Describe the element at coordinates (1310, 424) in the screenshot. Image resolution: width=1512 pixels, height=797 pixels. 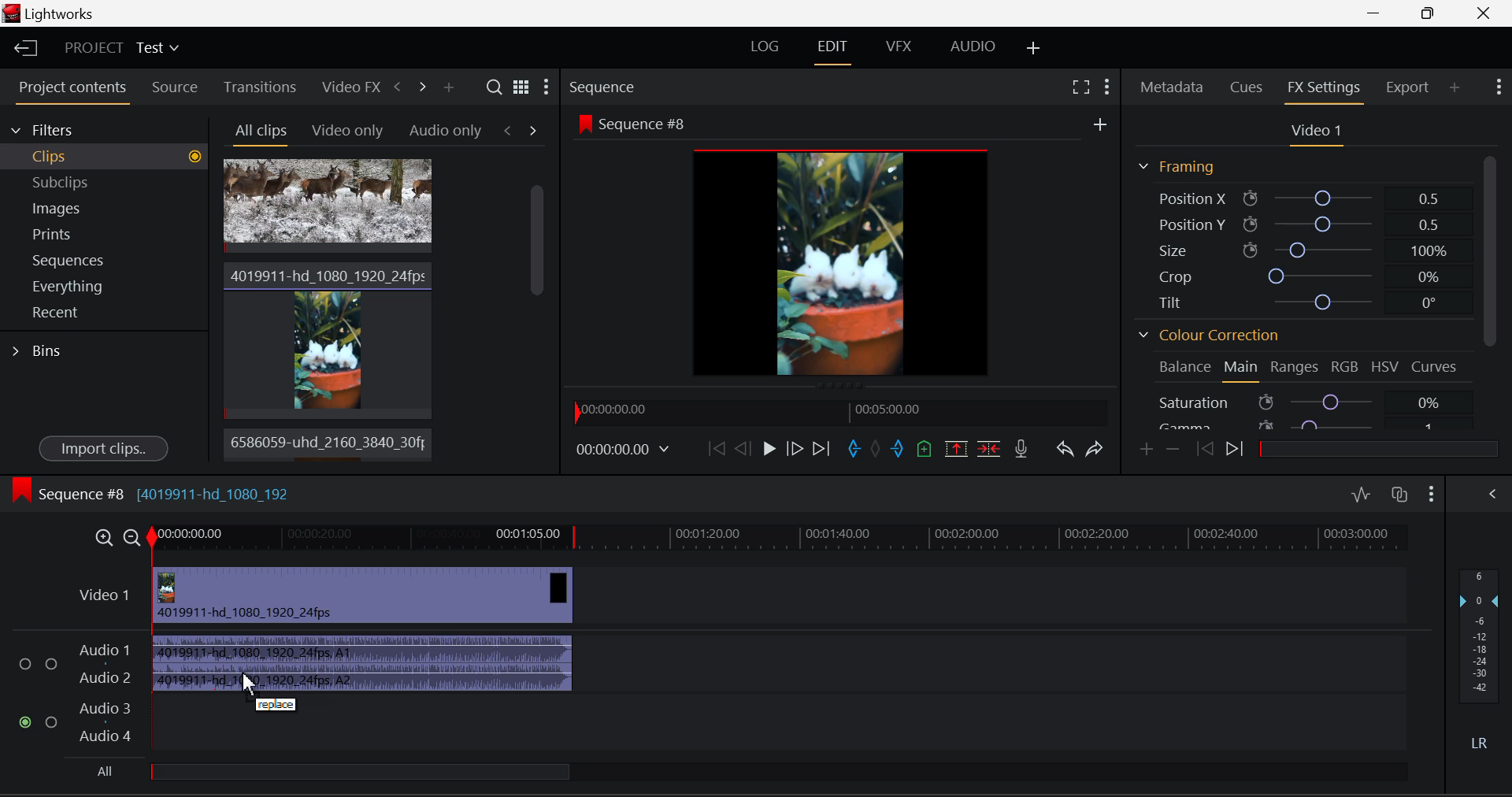
I see `Gamma` at that location.